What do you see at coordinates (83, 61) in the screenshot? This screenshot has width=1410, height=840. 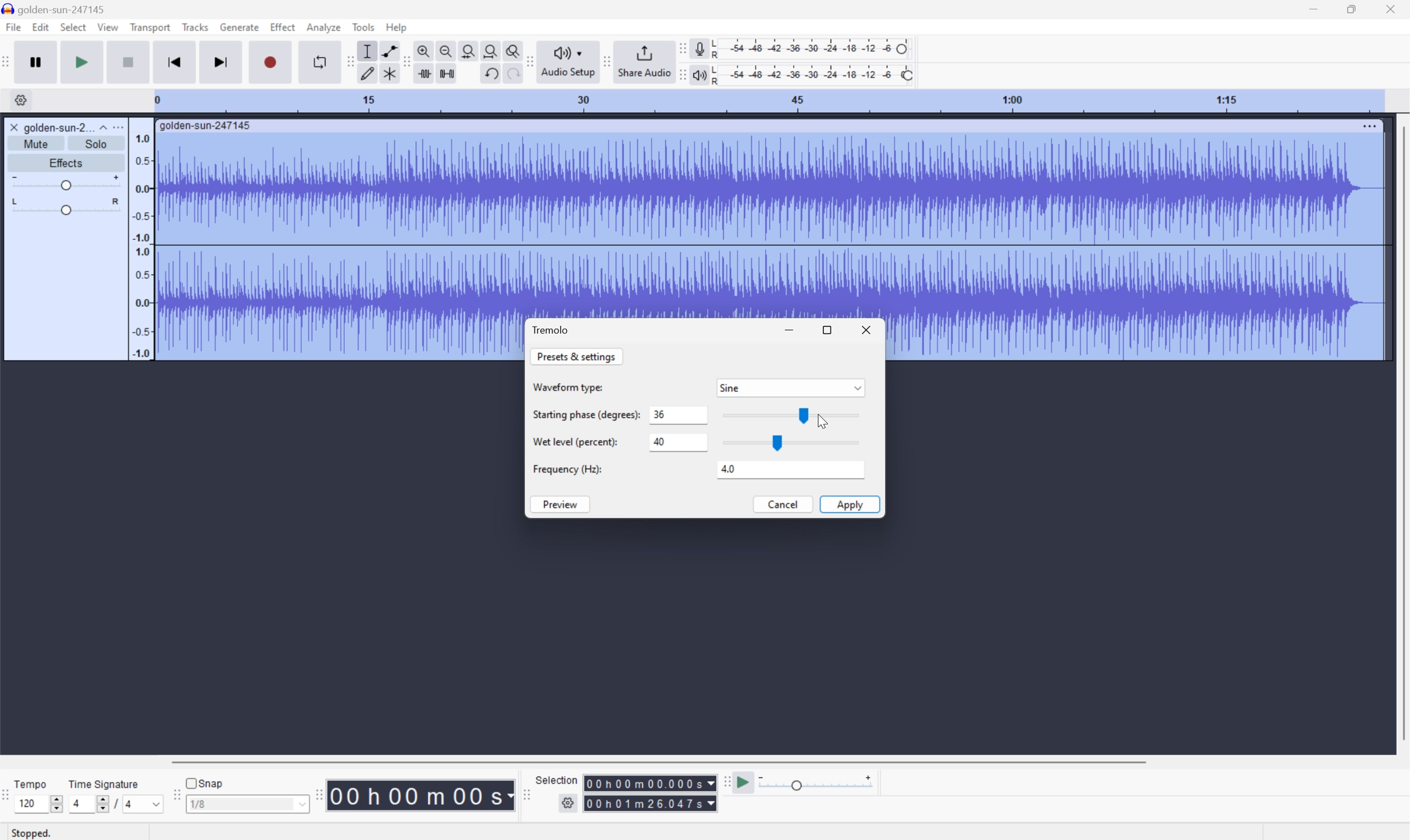 I see `Play` at bounding box center [83, 61].